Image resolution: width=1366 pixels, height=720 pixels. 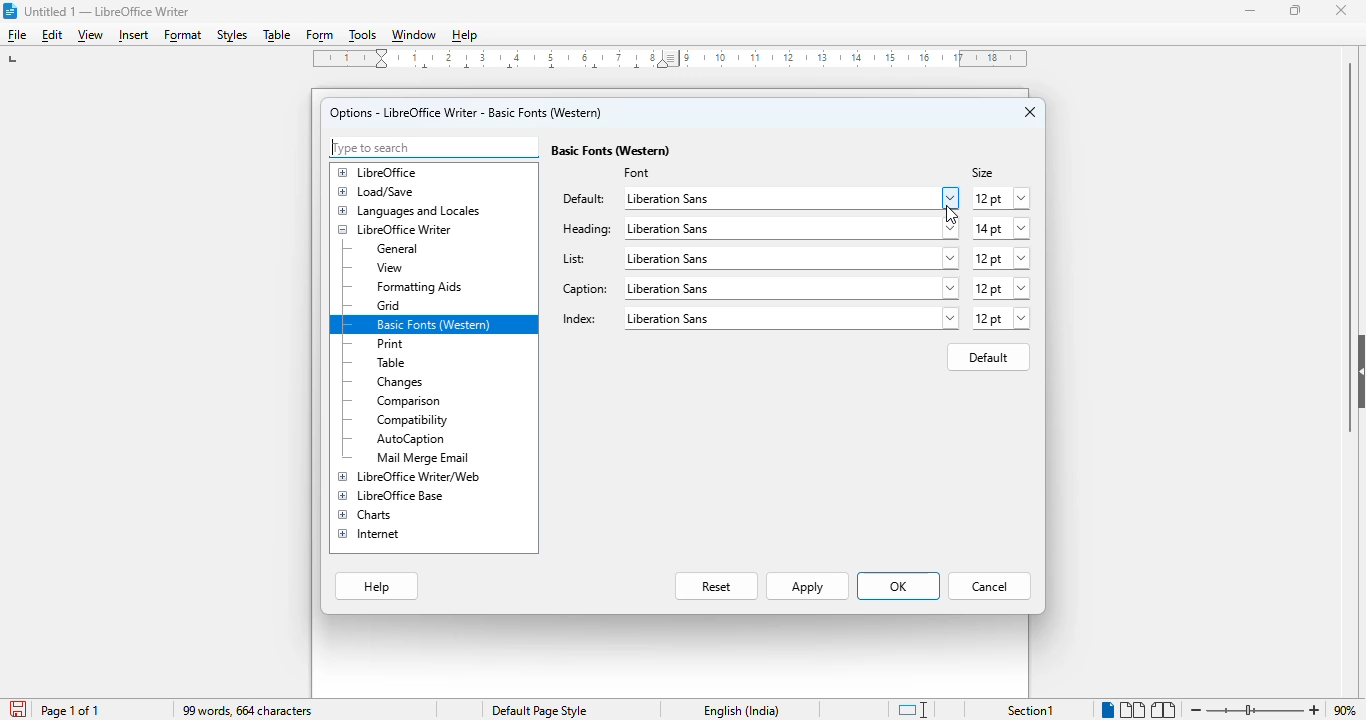 I want to click on liberation sans, so click(x=792, y=289).